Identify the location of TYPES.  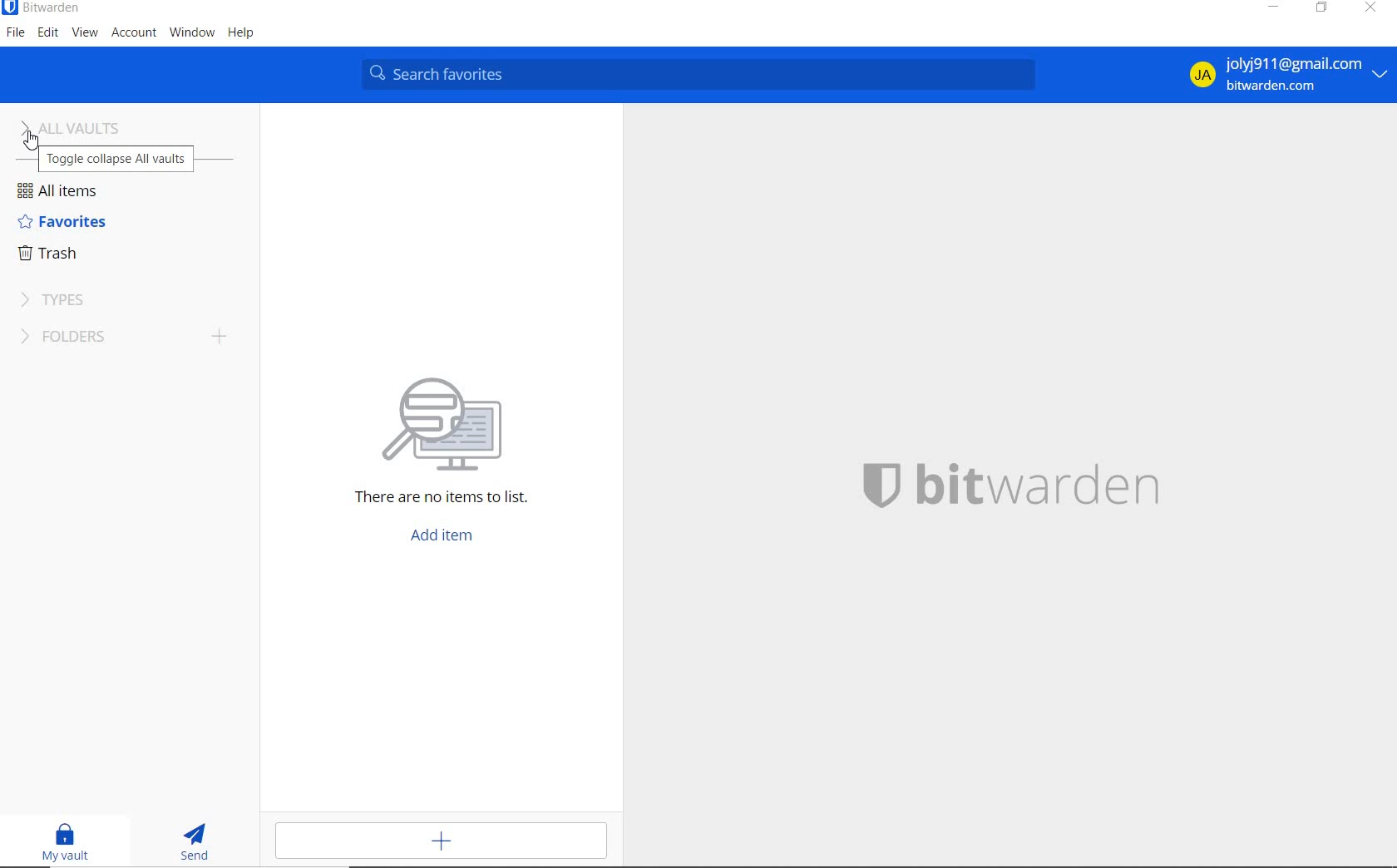
(57, 298).